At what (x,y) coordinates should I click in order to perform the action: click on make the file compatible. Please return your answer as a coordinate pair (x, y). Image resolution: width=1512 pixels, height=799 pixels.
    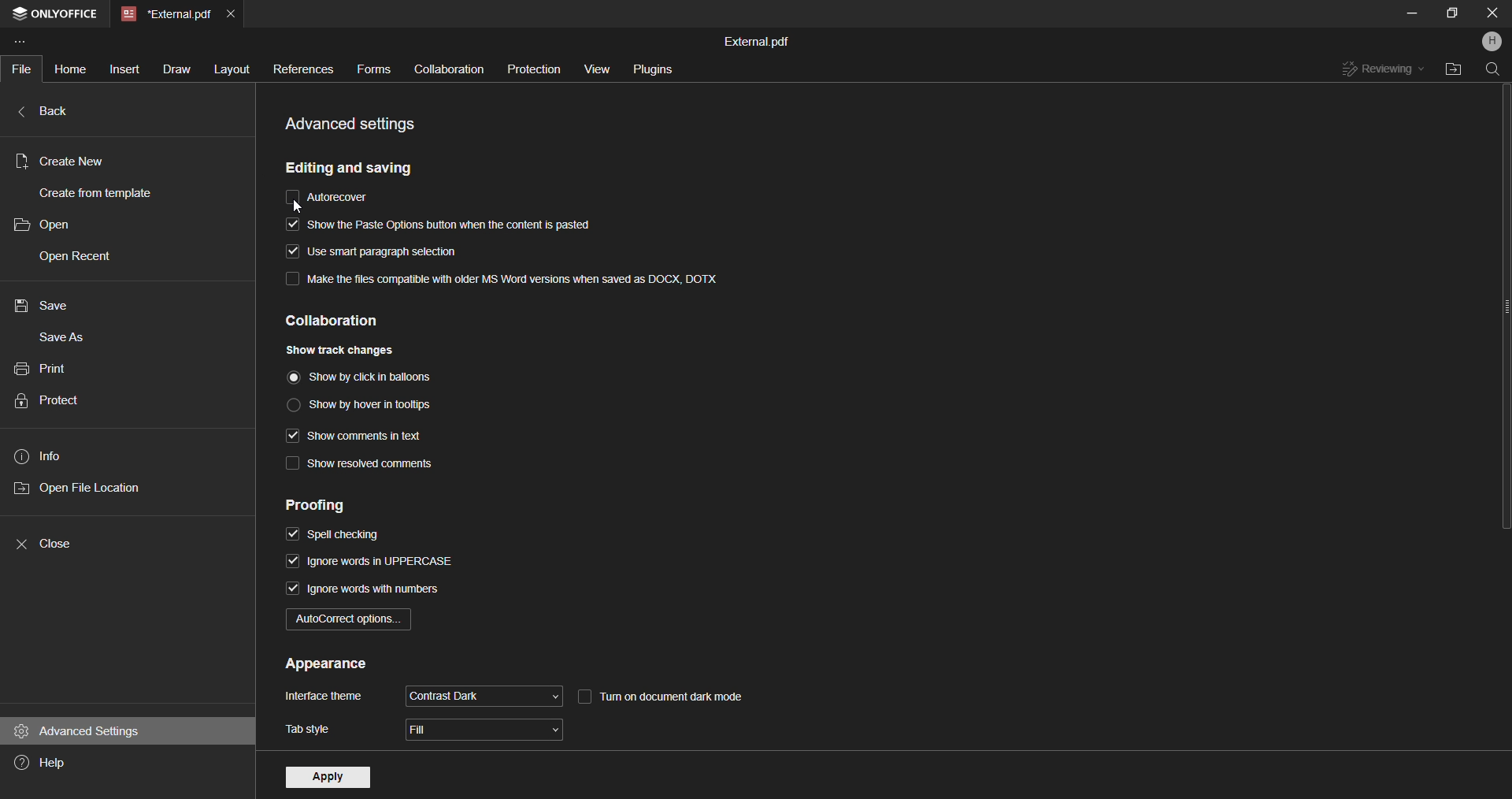
    Looking at the image, I should click on (502, 277).